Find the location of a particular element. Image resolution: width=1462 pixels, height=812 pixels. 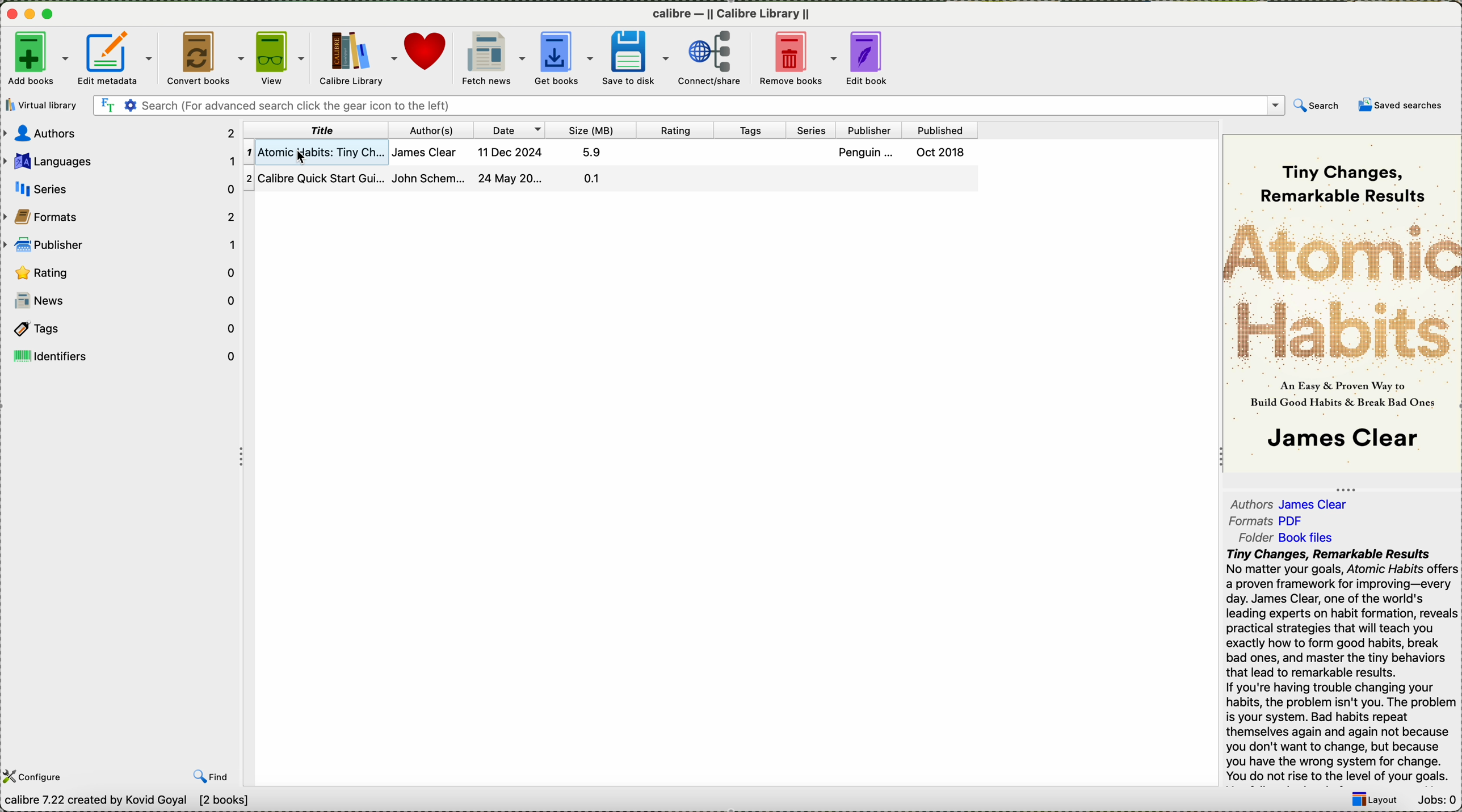

layout is located at coordinates (1379, 800).